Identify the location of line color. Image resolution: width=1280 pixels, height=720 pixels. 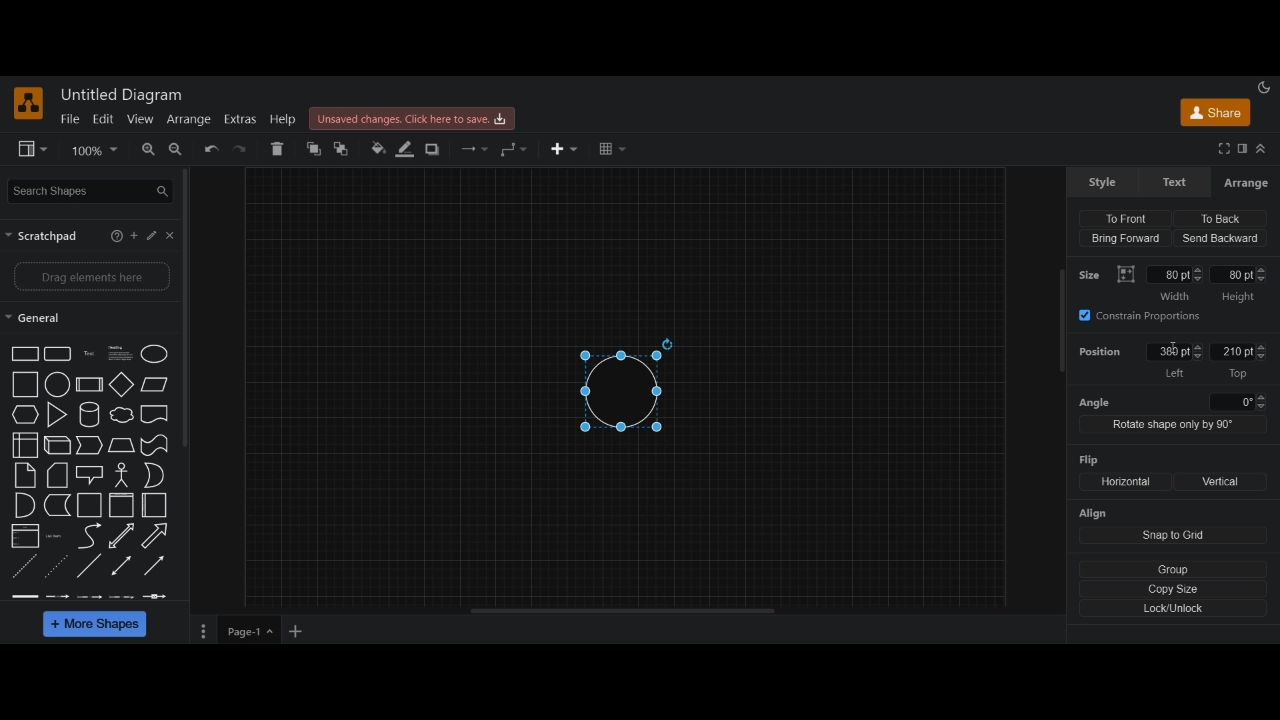
(405, 148).